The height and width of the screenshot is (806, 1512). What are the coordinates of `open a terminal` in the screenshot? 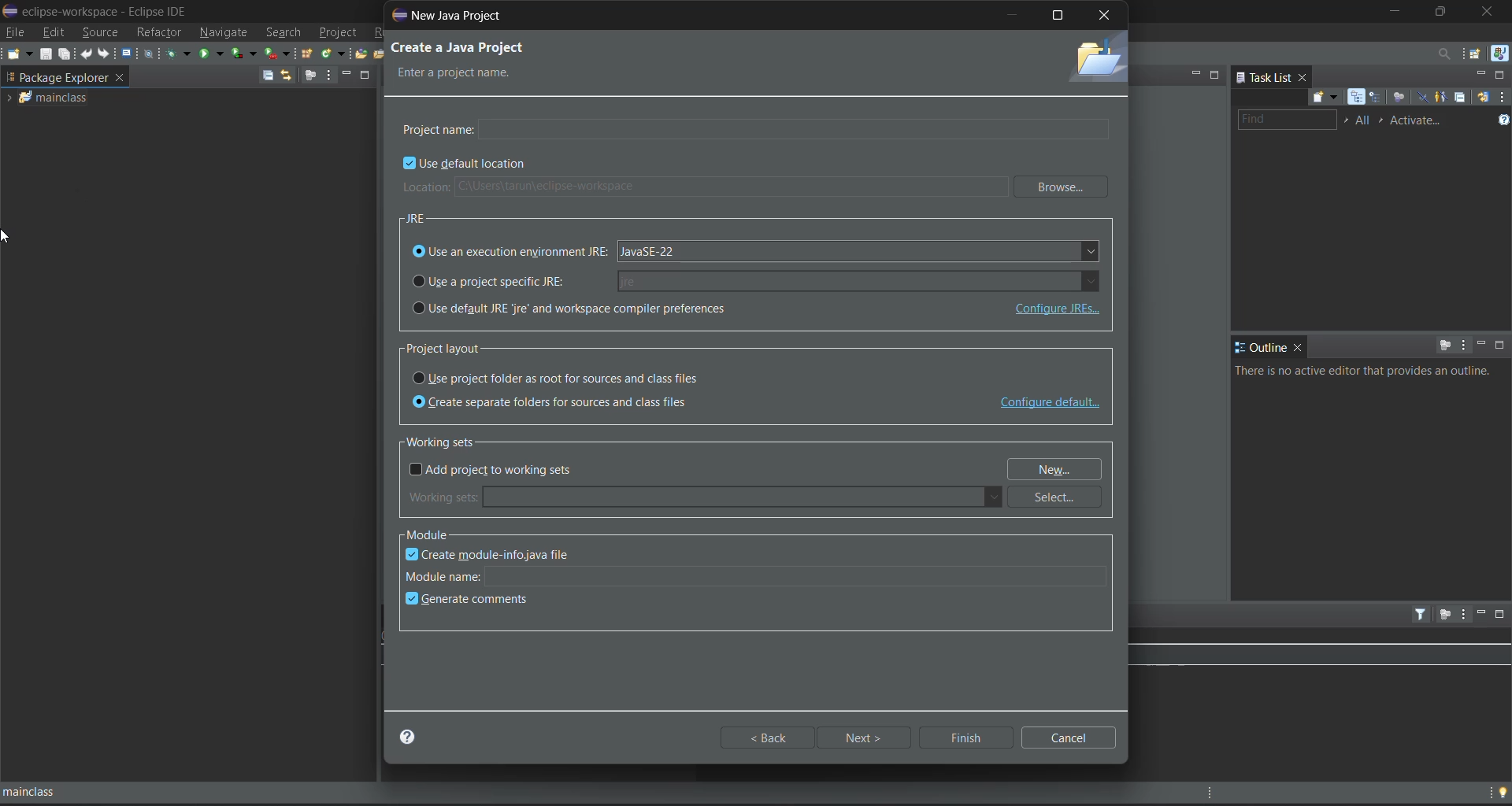 It's located at (128, 53).